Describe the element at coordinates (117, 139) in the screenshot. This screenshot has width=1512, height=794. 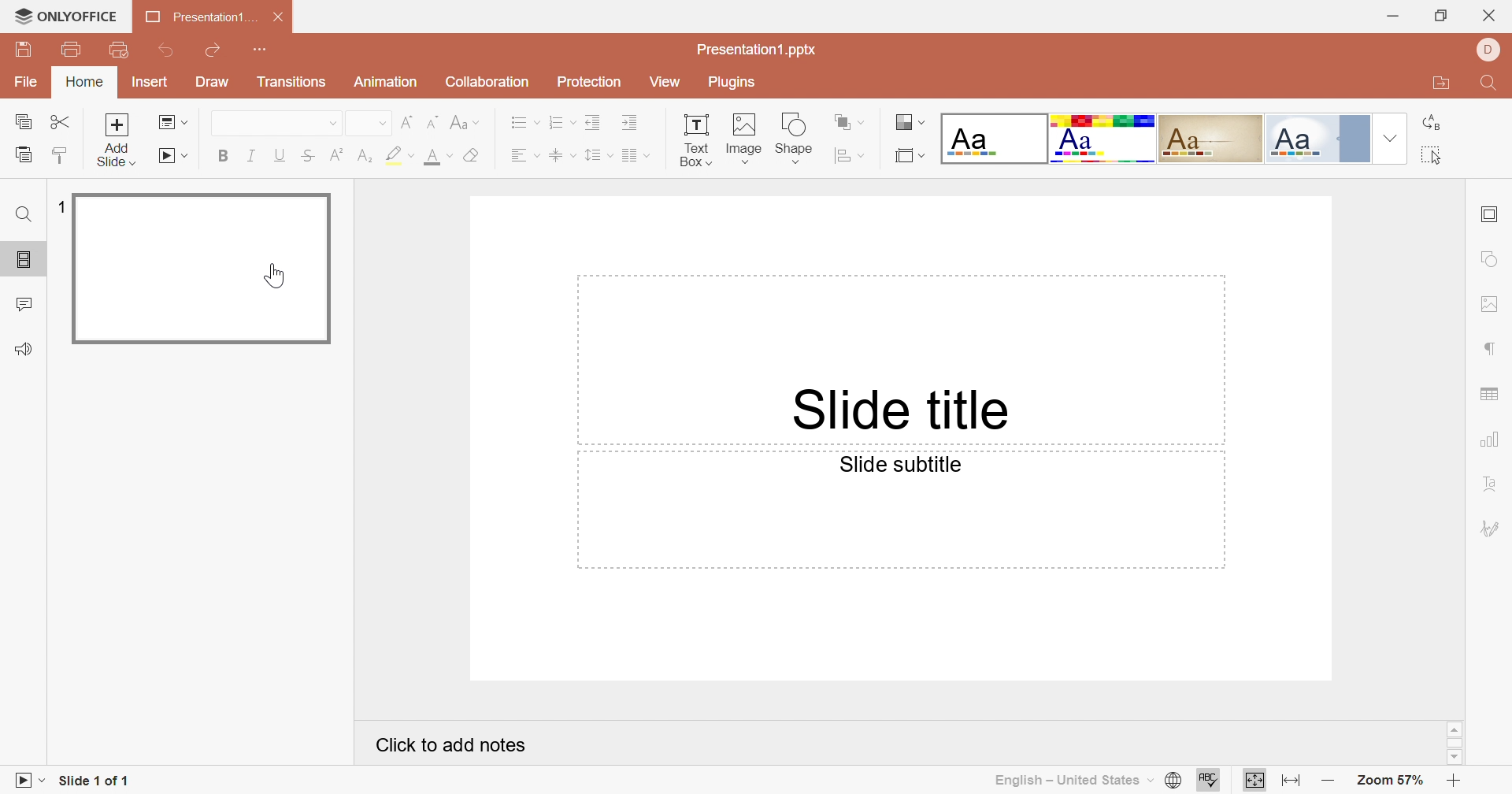
I see `Add slide` at that location.